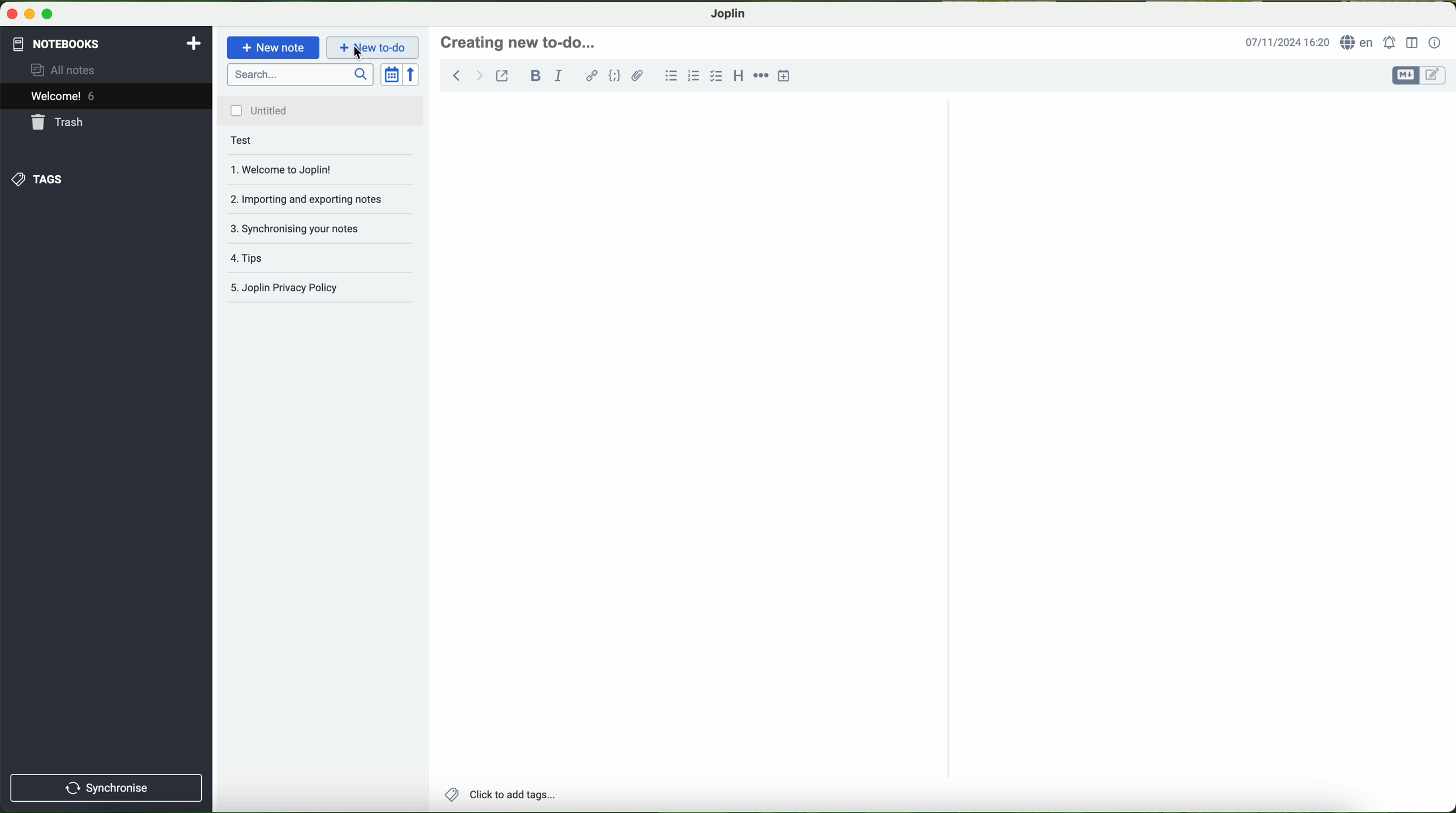 The height and width of the screenshot is (813, 1456). What do you see at coordinates (560, 76) in the screenshot?
I see `italic` at bounding box center [560, 76].